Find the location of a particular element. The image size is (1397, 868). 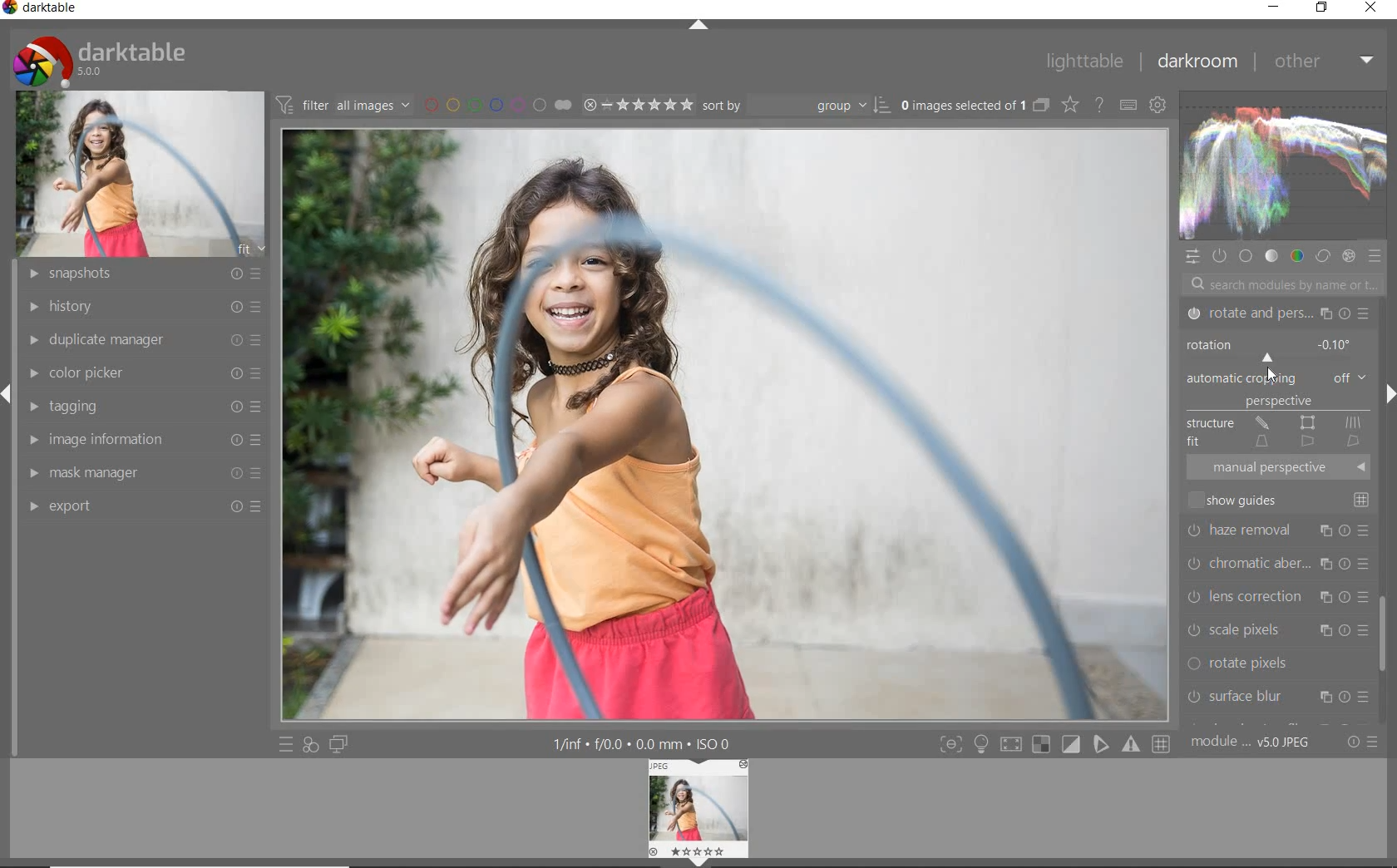

selected image is located at coordinates (725, 423).